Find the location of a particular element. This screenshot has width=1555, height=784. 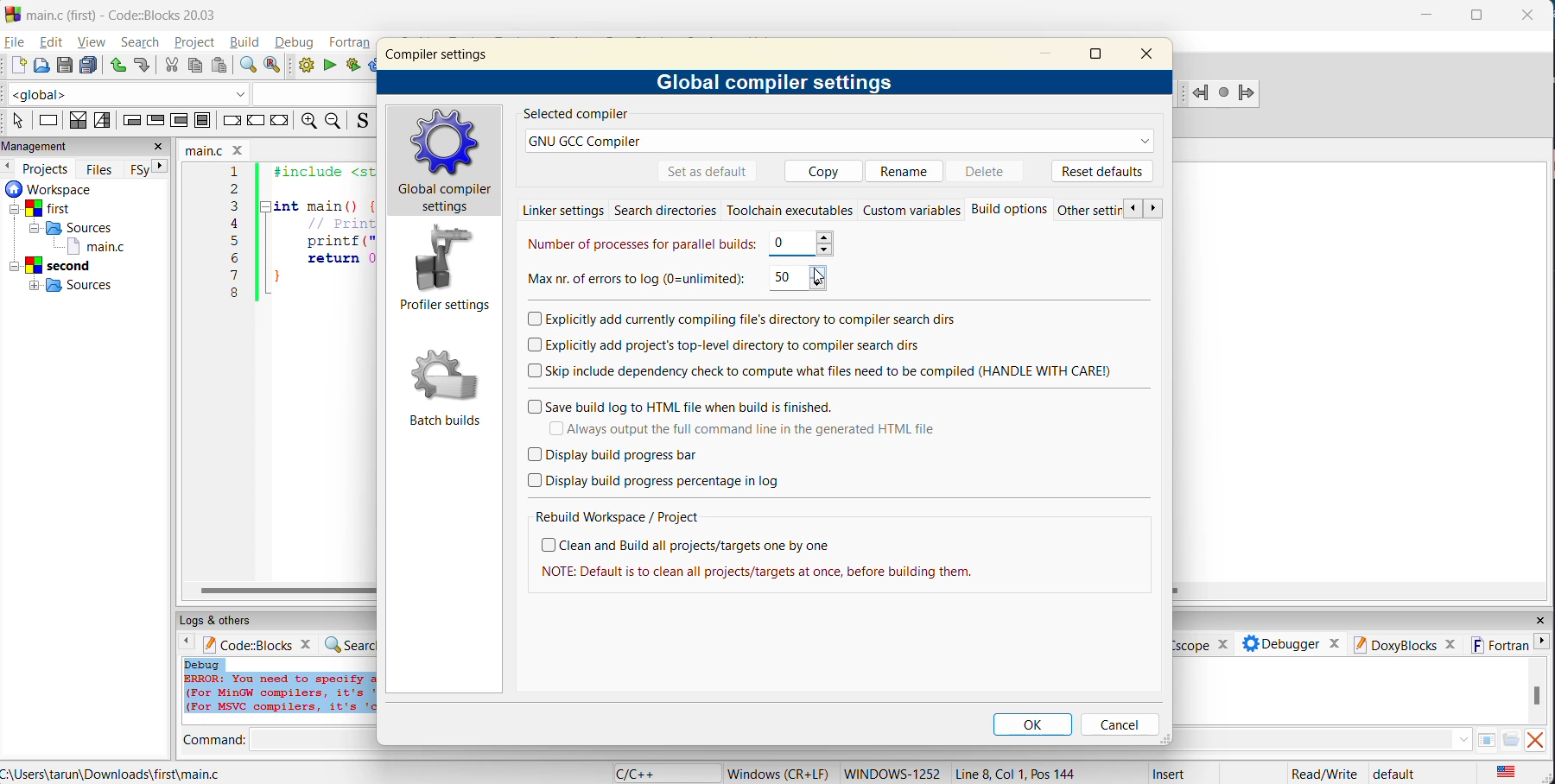

files is located at coordinates (103, 168).